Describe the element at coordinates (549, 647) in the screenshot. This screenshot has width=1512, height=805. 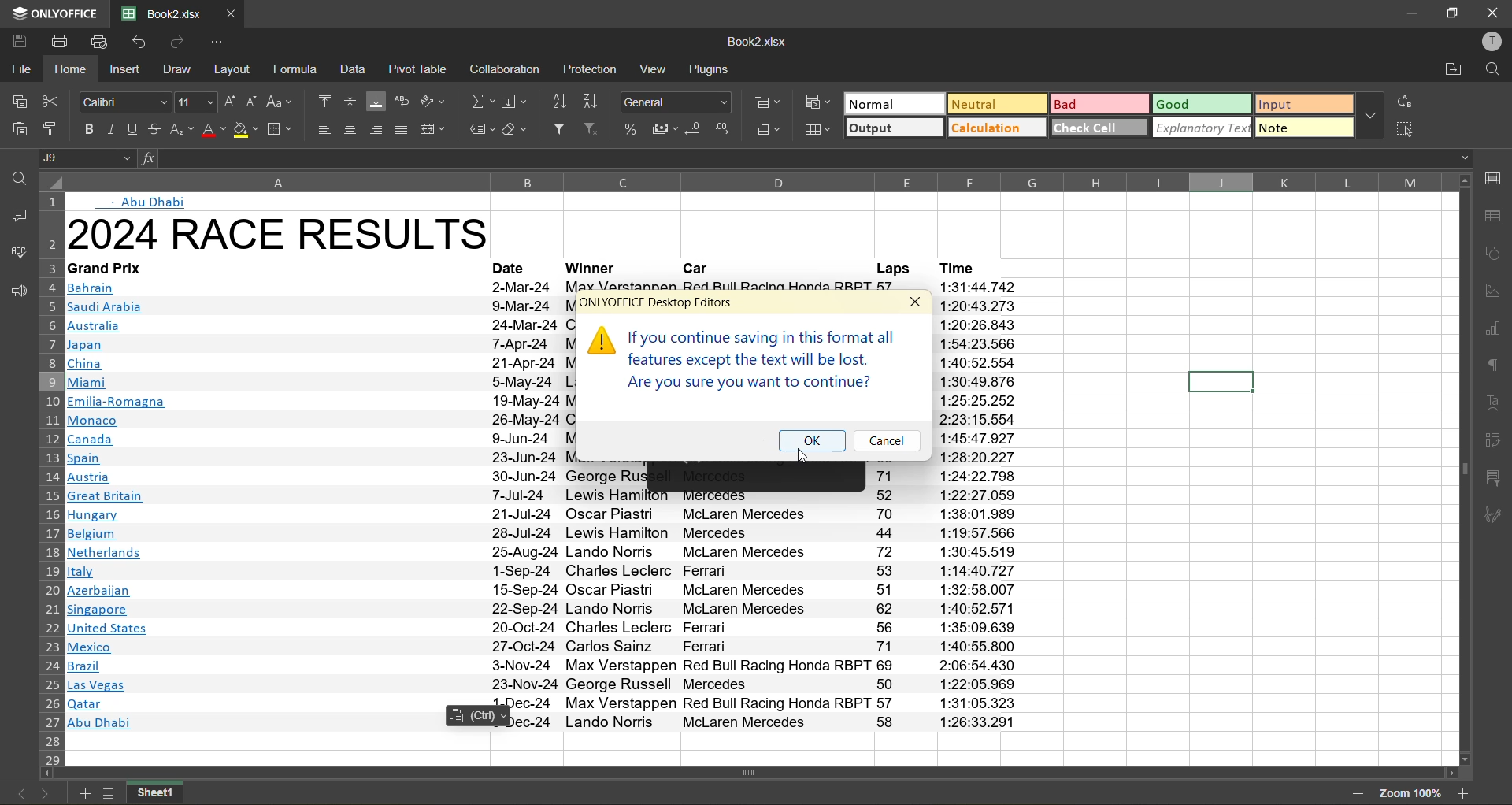
I see `text info` at that location.